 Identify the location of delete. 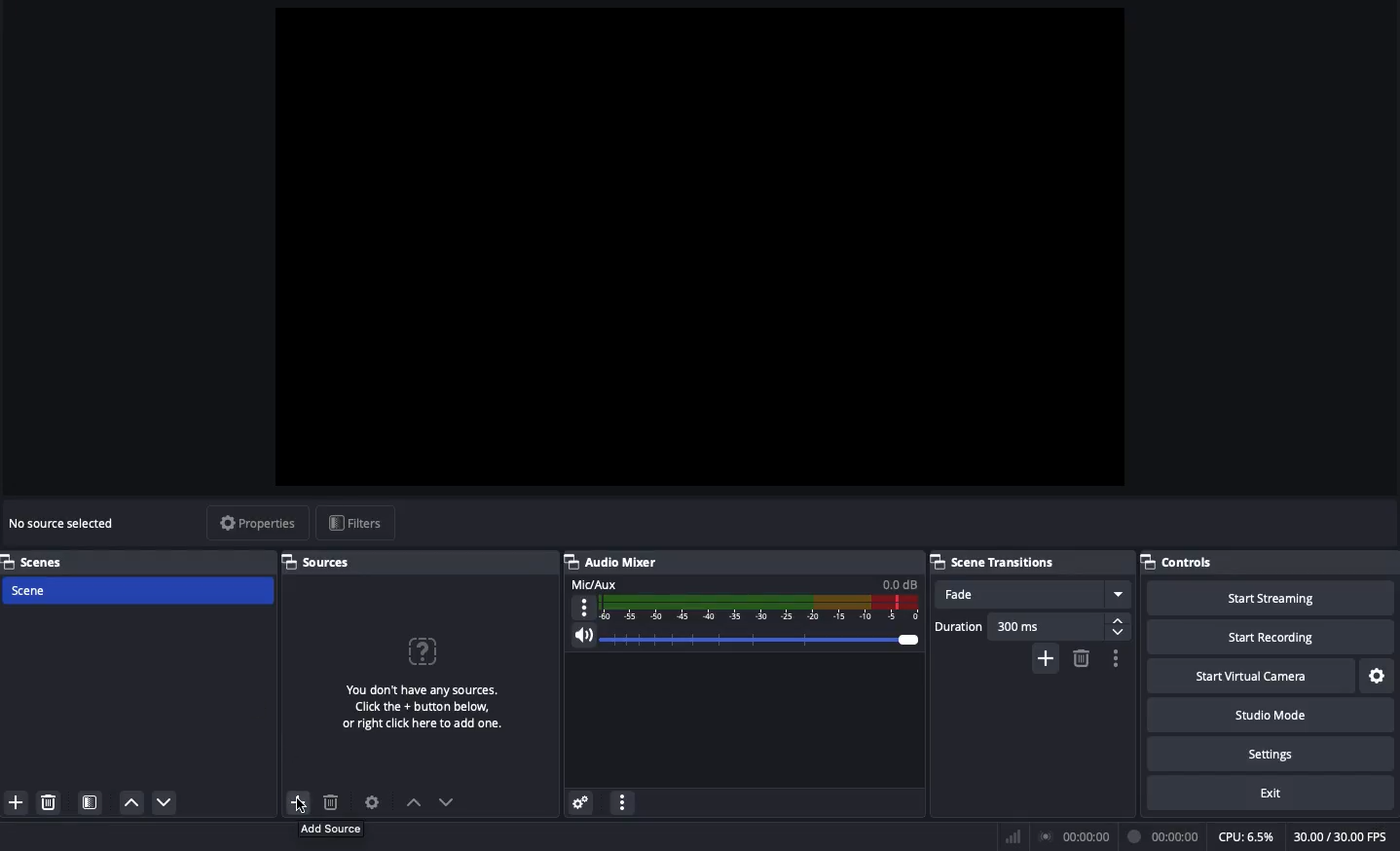
(326, 796).